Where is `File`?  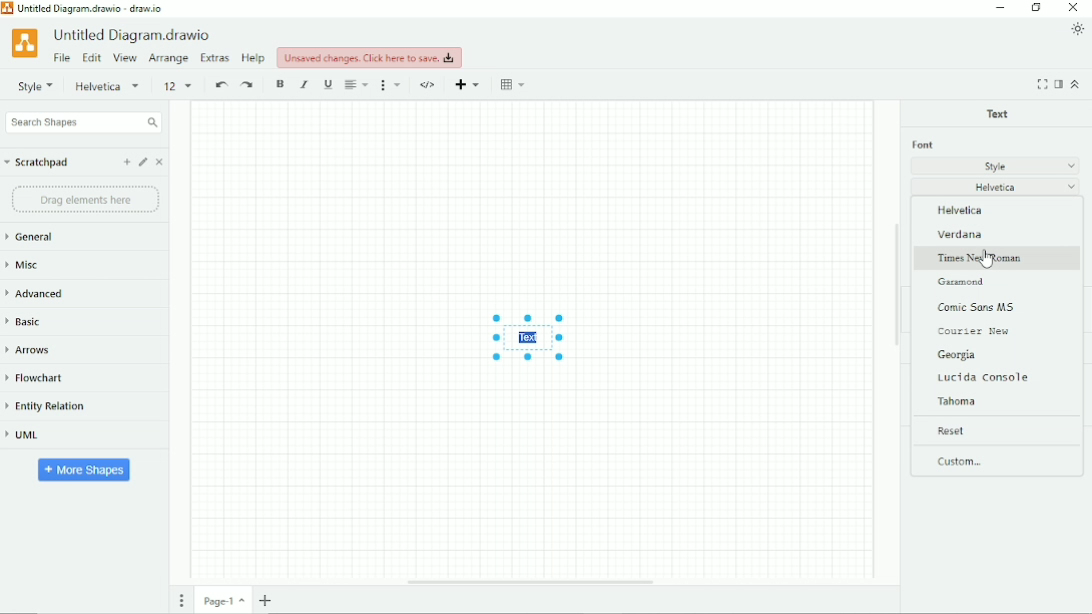 File is located at coordinates (62, 57).